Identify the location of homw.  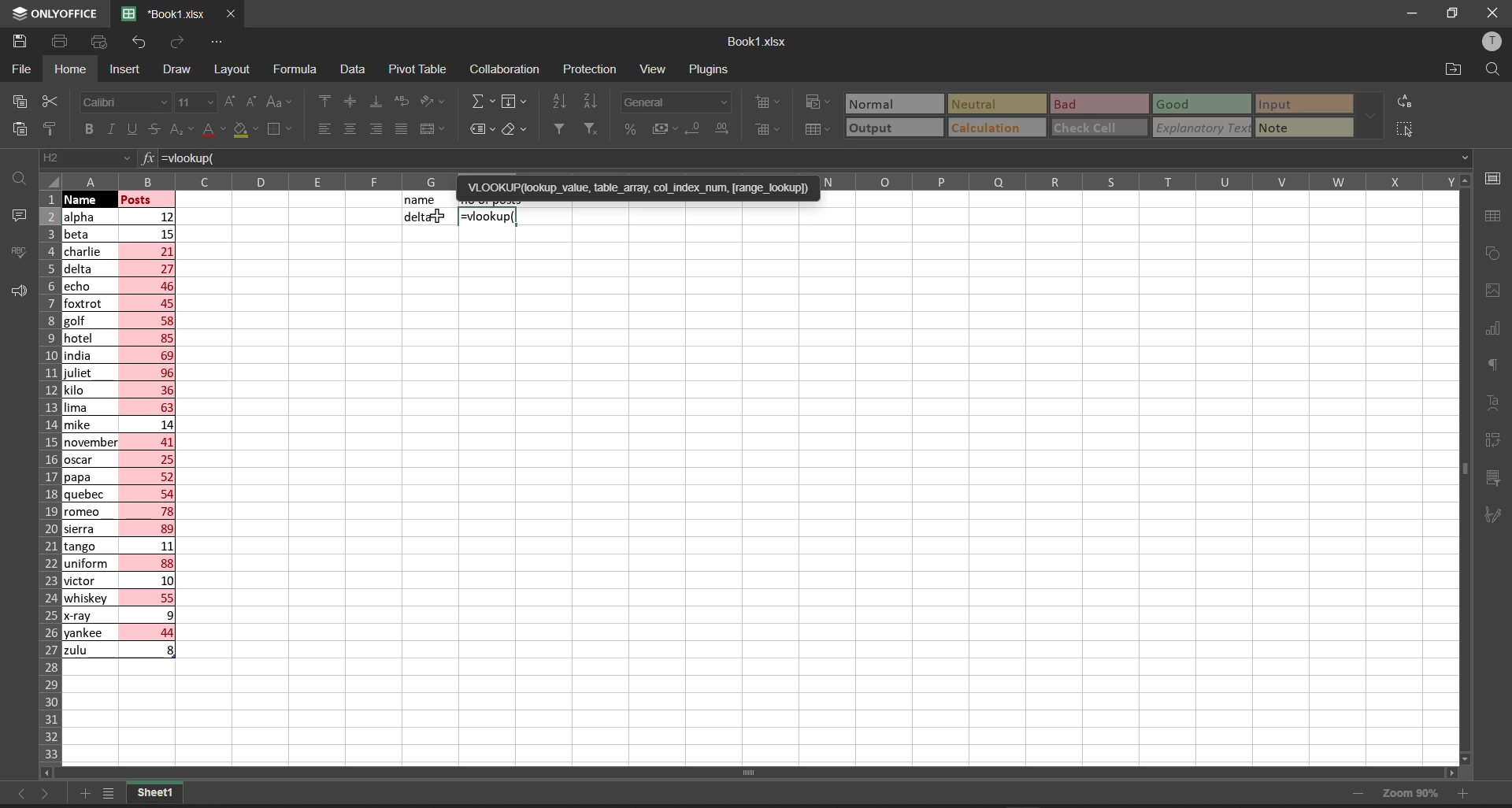
(69, 69).